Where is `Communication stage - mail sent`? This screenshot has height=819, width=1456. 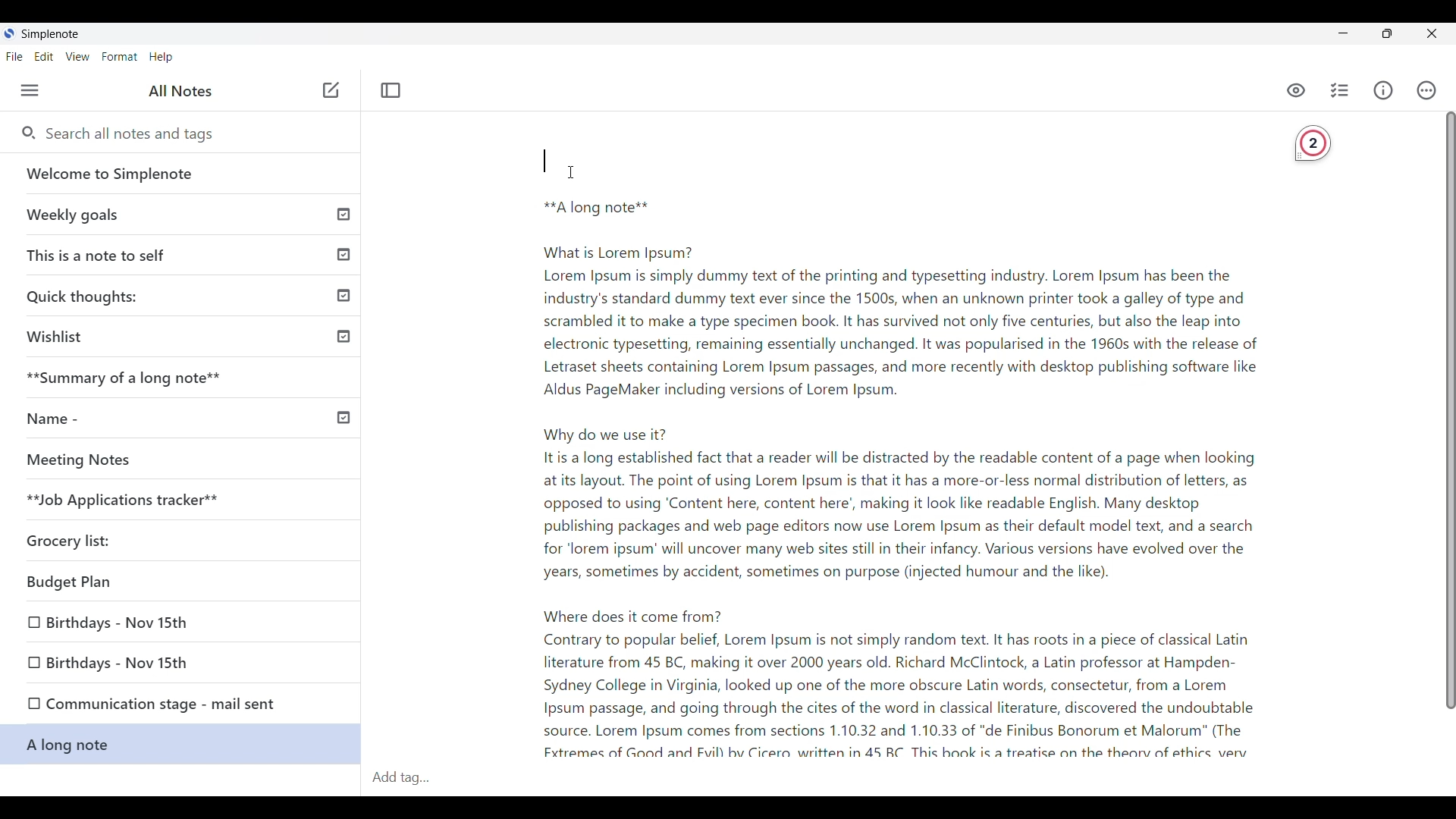
Communication stage - mail sent is located at coordinates (180, 706).